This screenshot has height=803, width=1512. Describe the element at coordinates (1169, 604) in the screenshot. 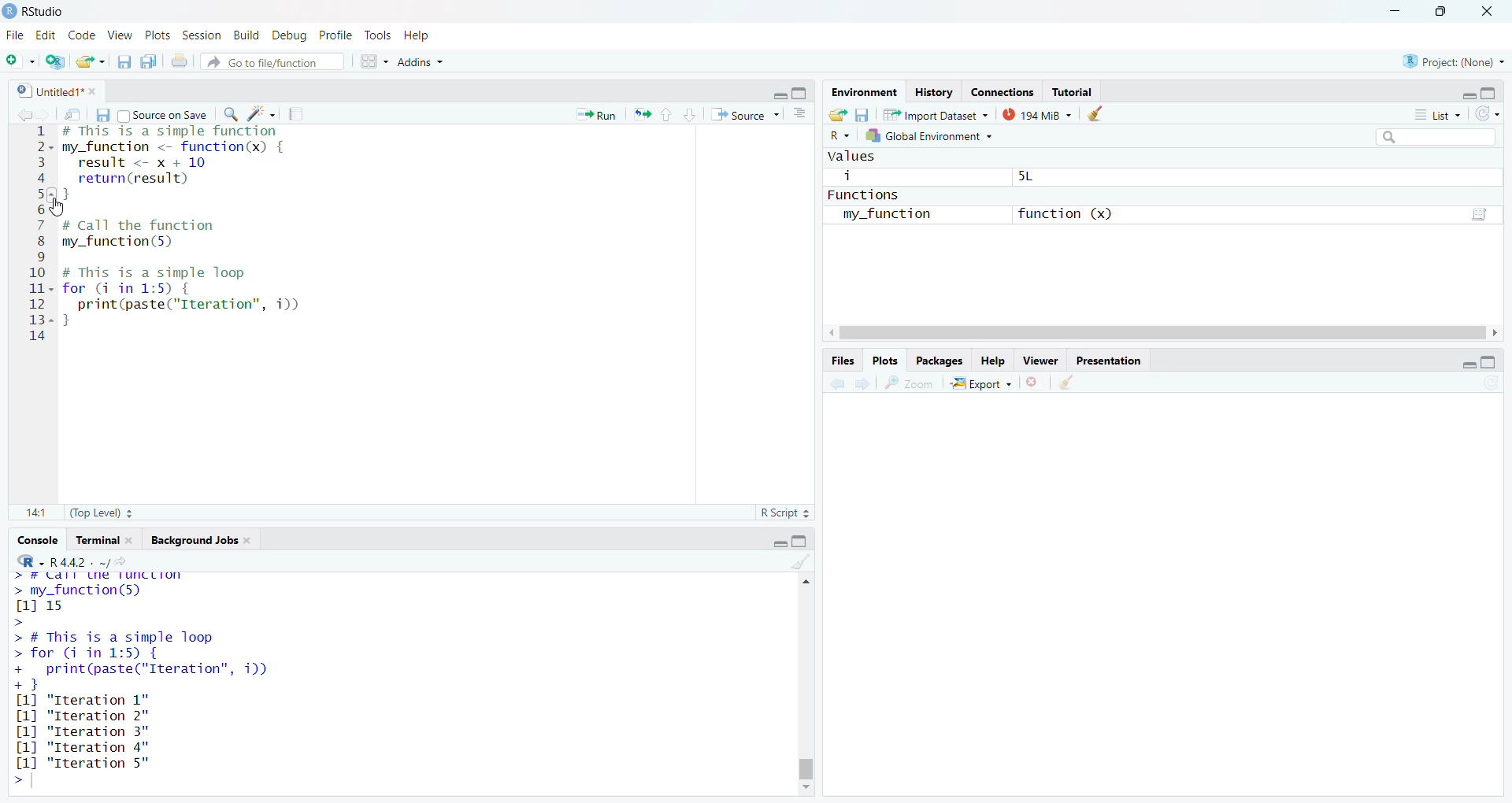

I see `empty plot area` at that location.